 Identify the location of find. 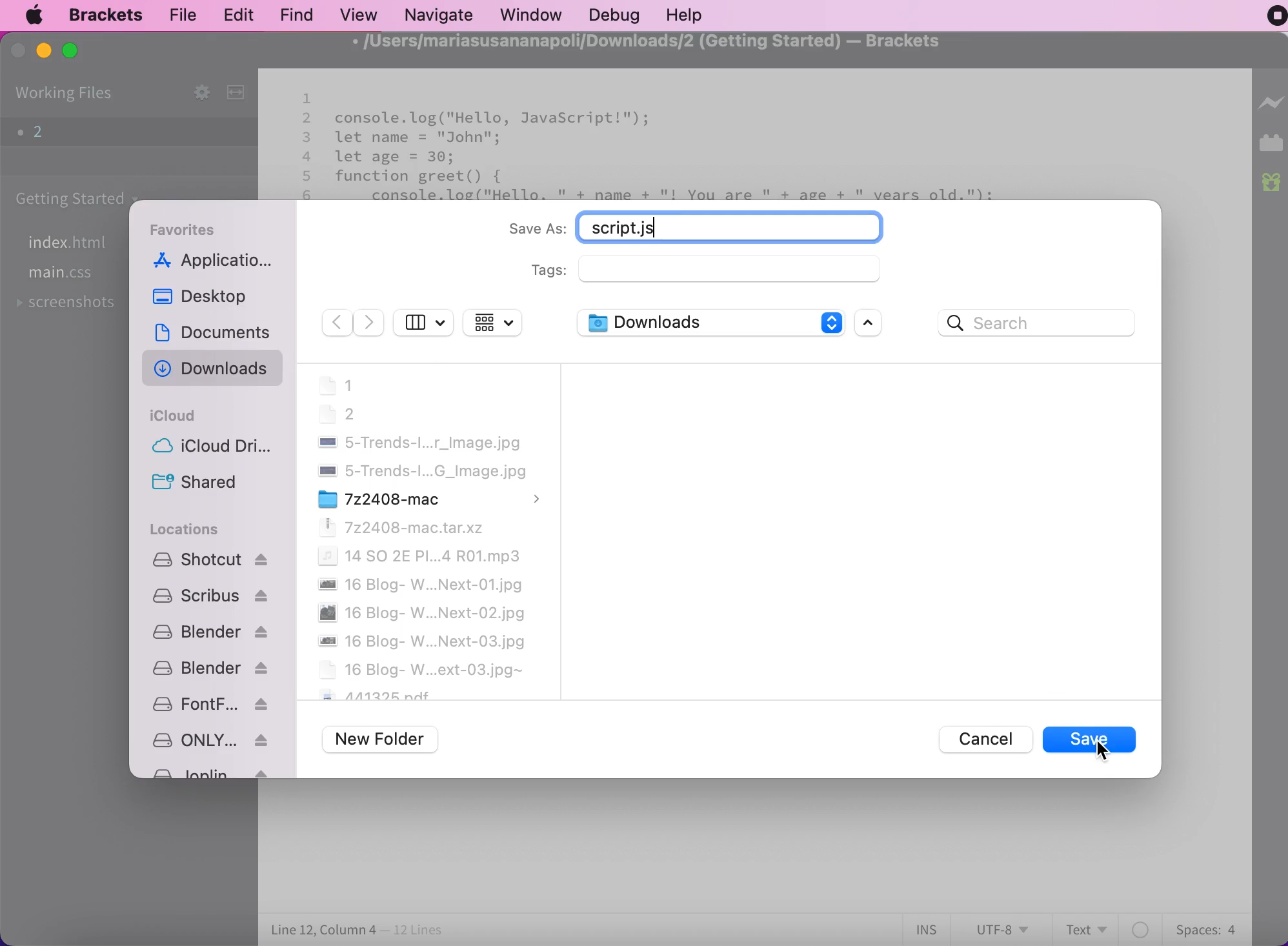
(293, 15).